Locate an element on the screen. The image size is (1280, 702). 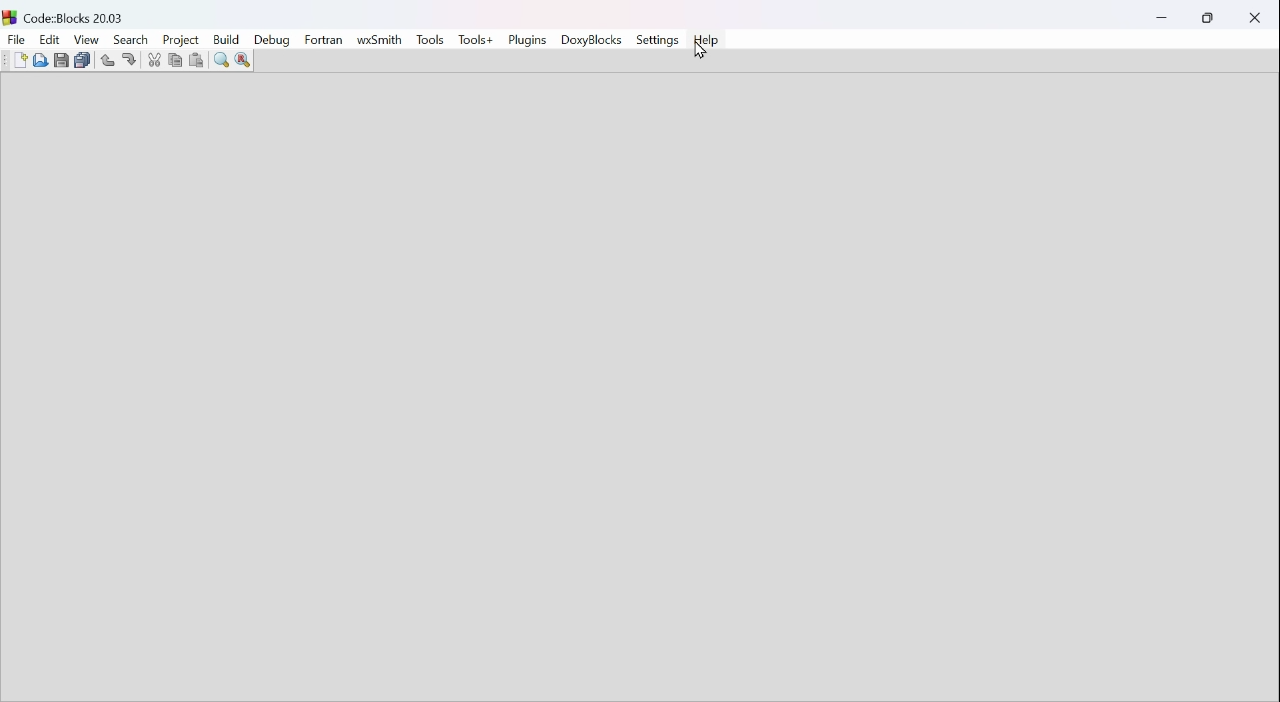
copy is located at coordinates (173, 59).